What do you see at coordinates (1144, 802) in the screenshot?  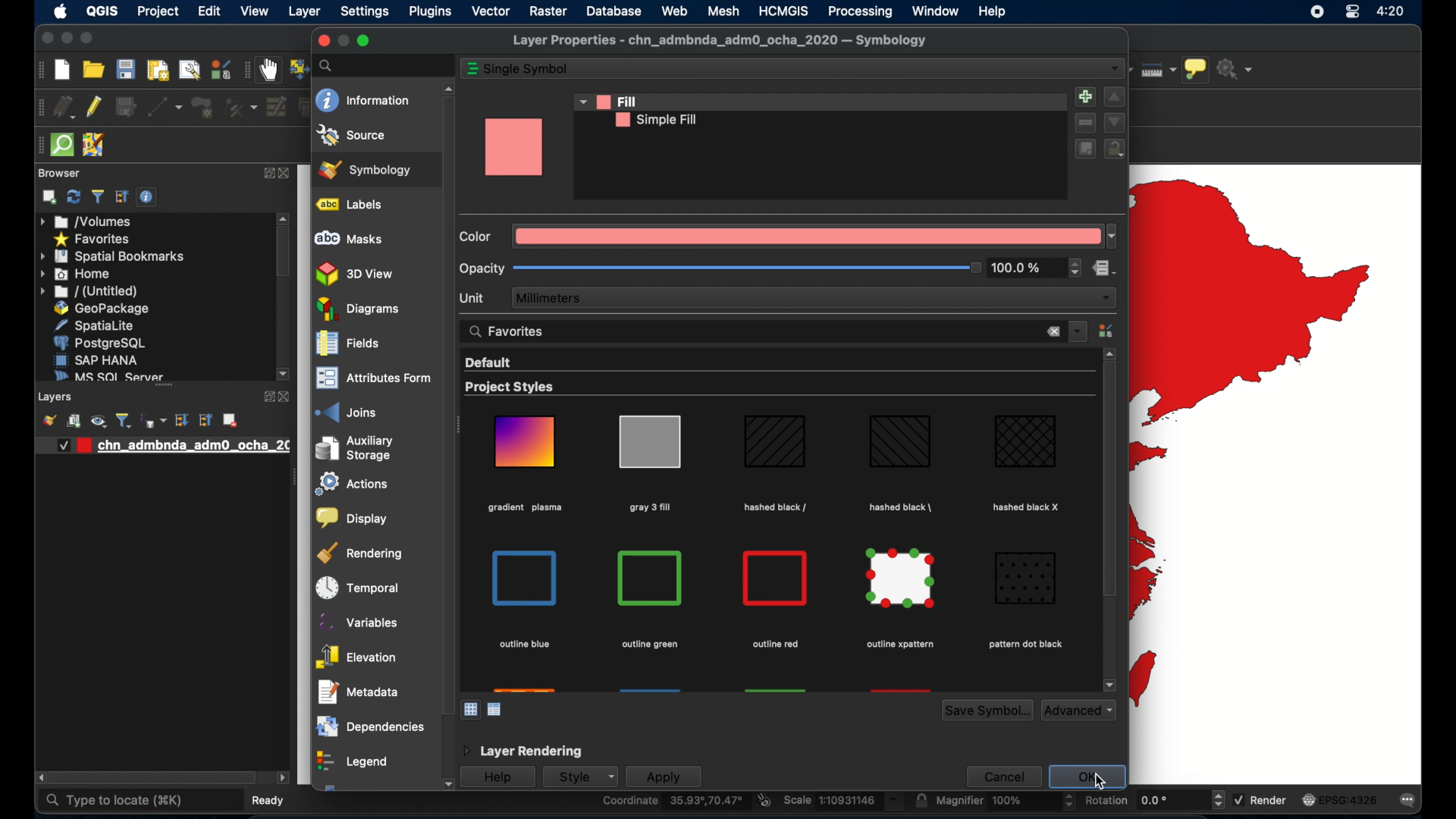 I see `rotation` at bounding box center [1144, 802].